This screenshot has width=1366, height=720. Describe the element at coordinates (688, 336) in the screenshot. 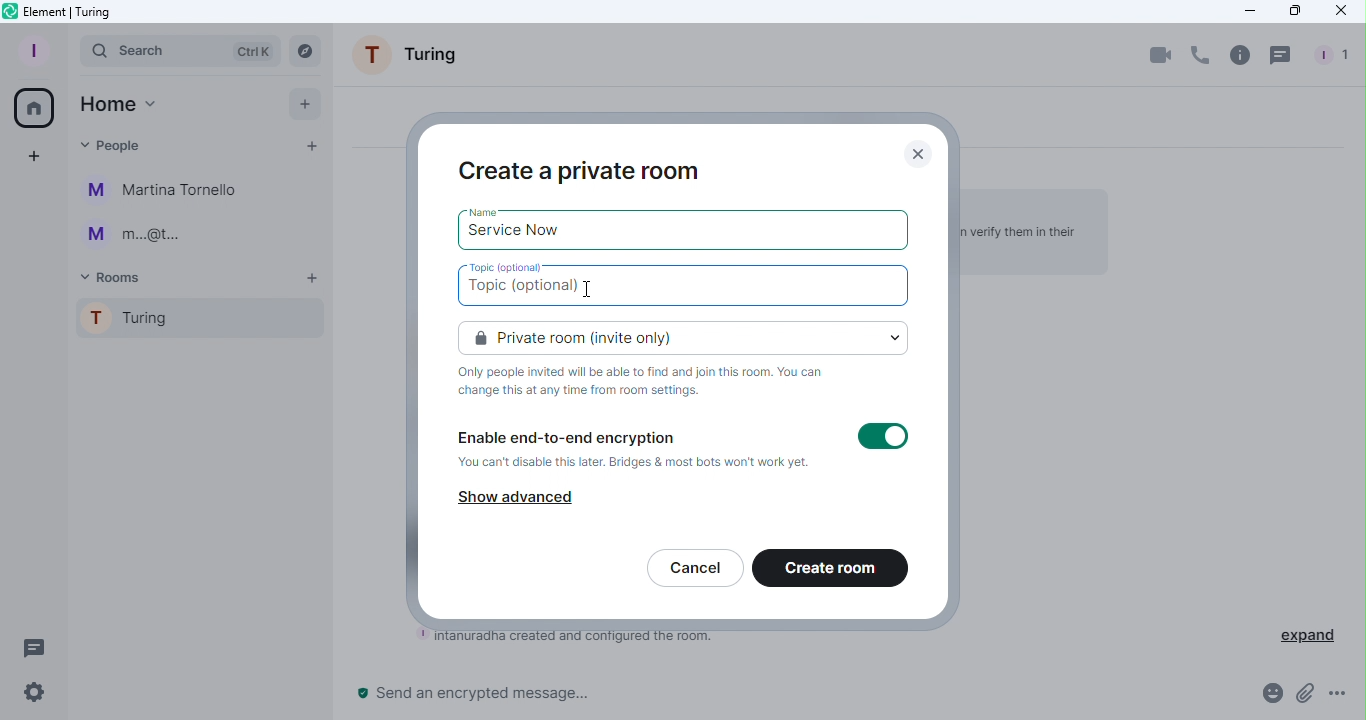

I see `Private room` at that location.